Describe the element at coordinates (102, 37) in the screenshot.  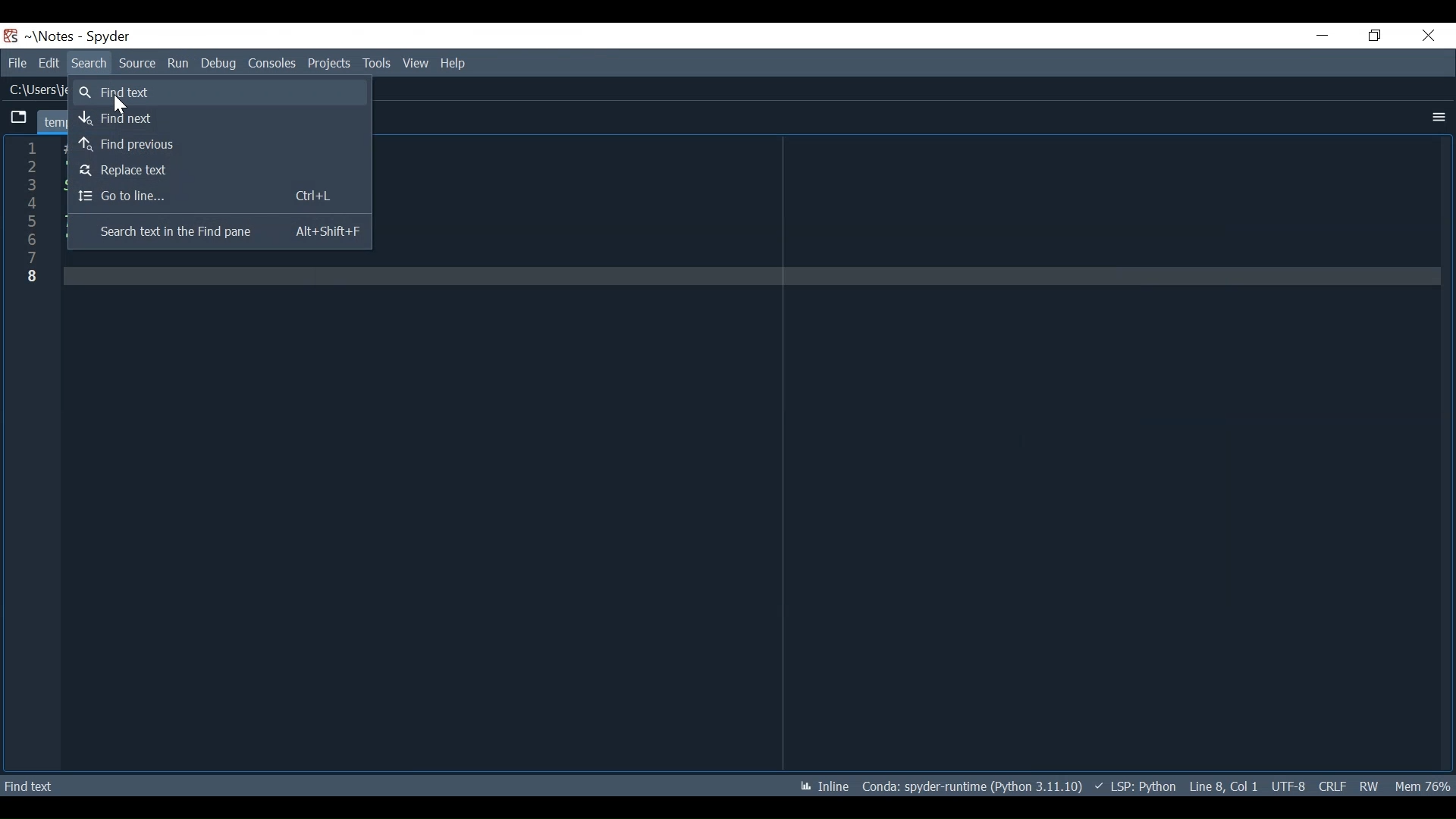
I see `Spyder` at that location.